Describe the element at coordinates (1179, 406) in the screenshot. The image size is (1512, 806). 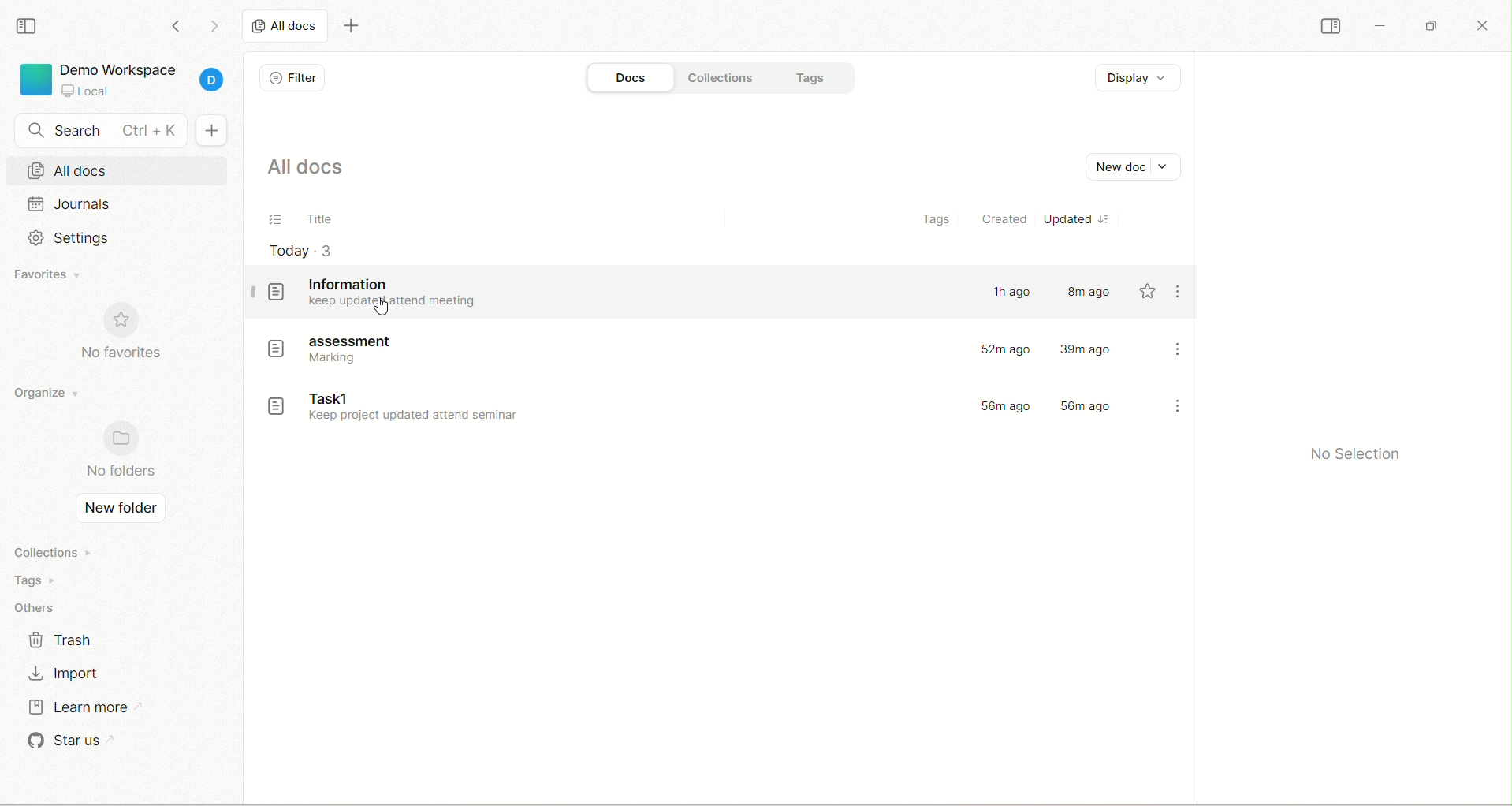
I see `options` at that location.